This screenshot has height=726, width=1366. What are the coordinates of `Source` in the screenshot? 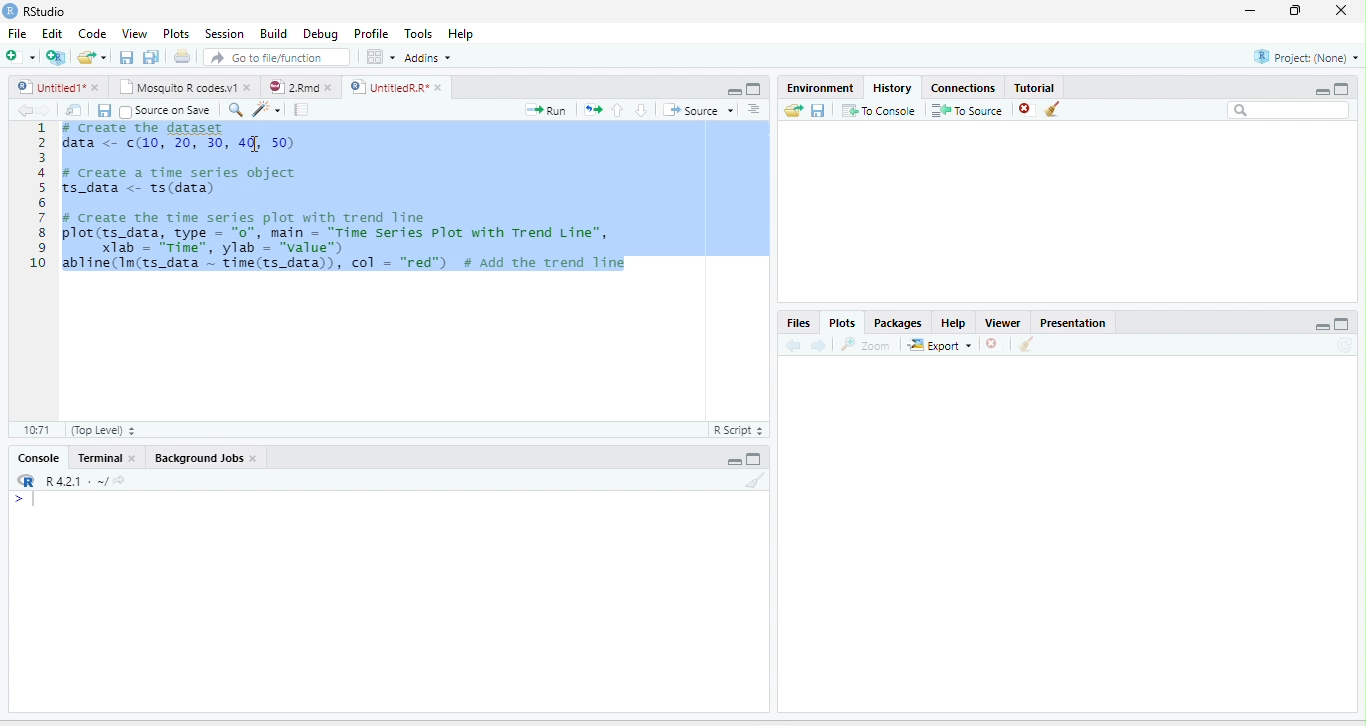 It's located at (698, 110).